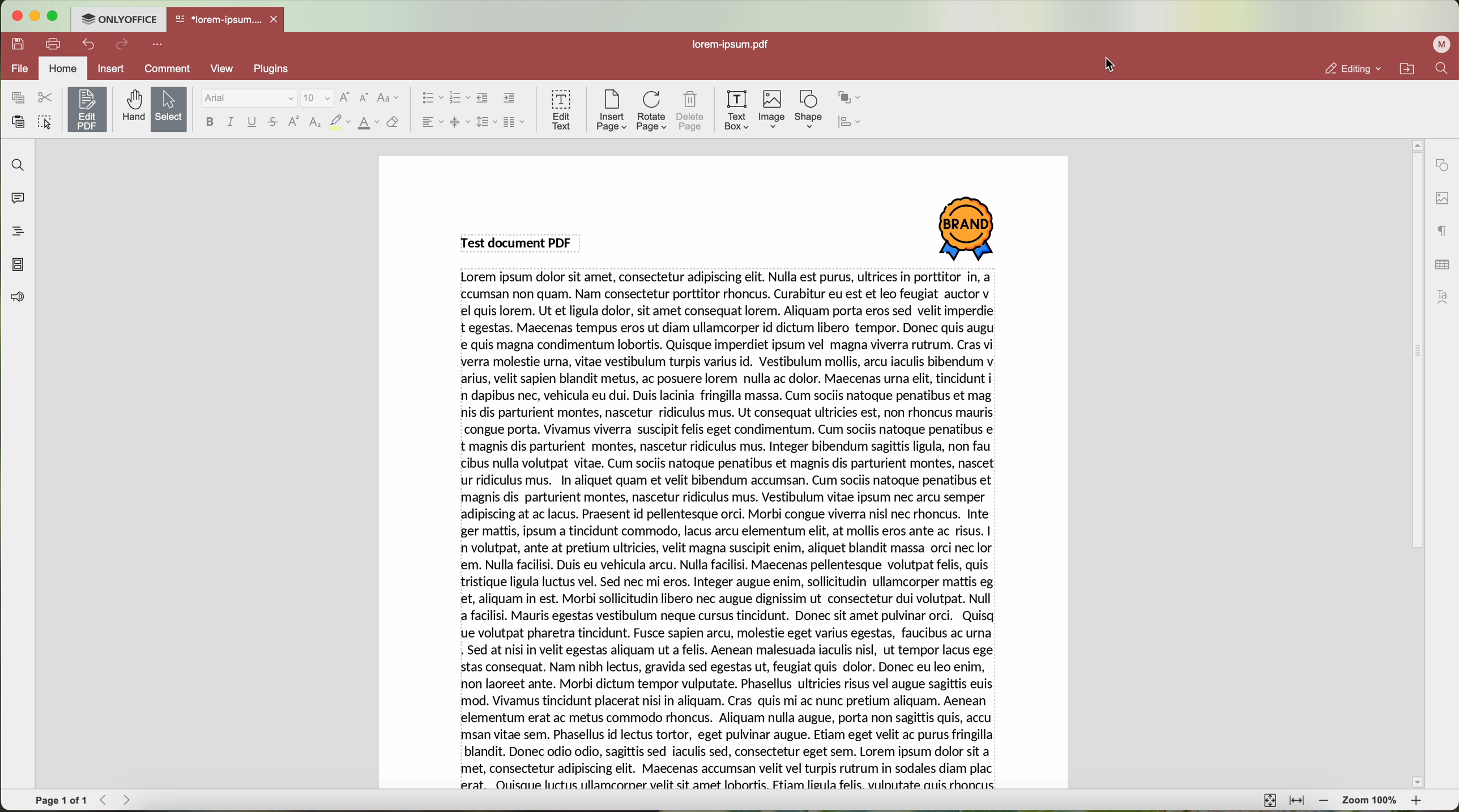  I want to click on delete page, so click(691, 113).